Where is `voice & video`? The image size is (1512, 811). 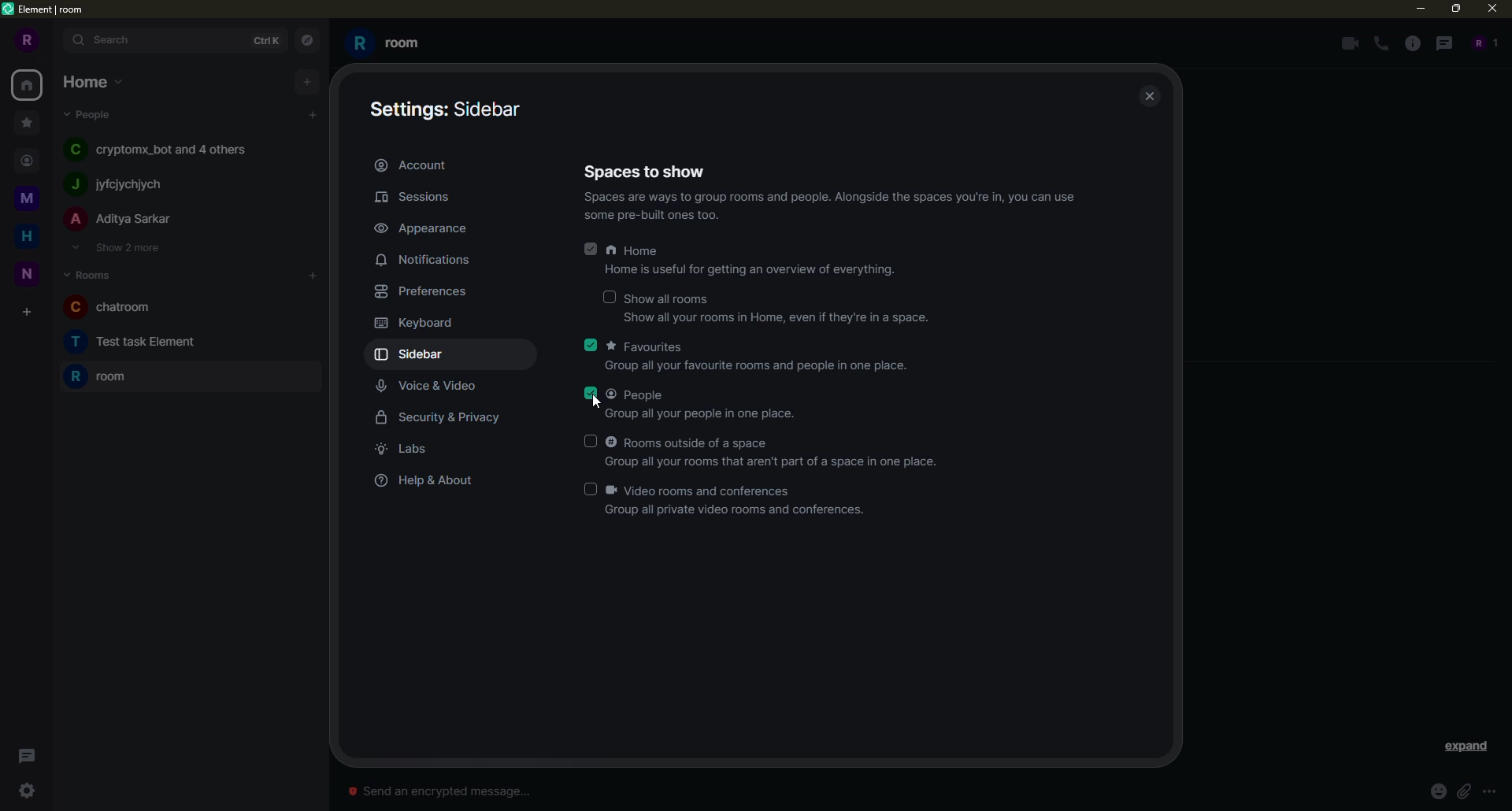 voice & video is located at coordinates (428, 388).